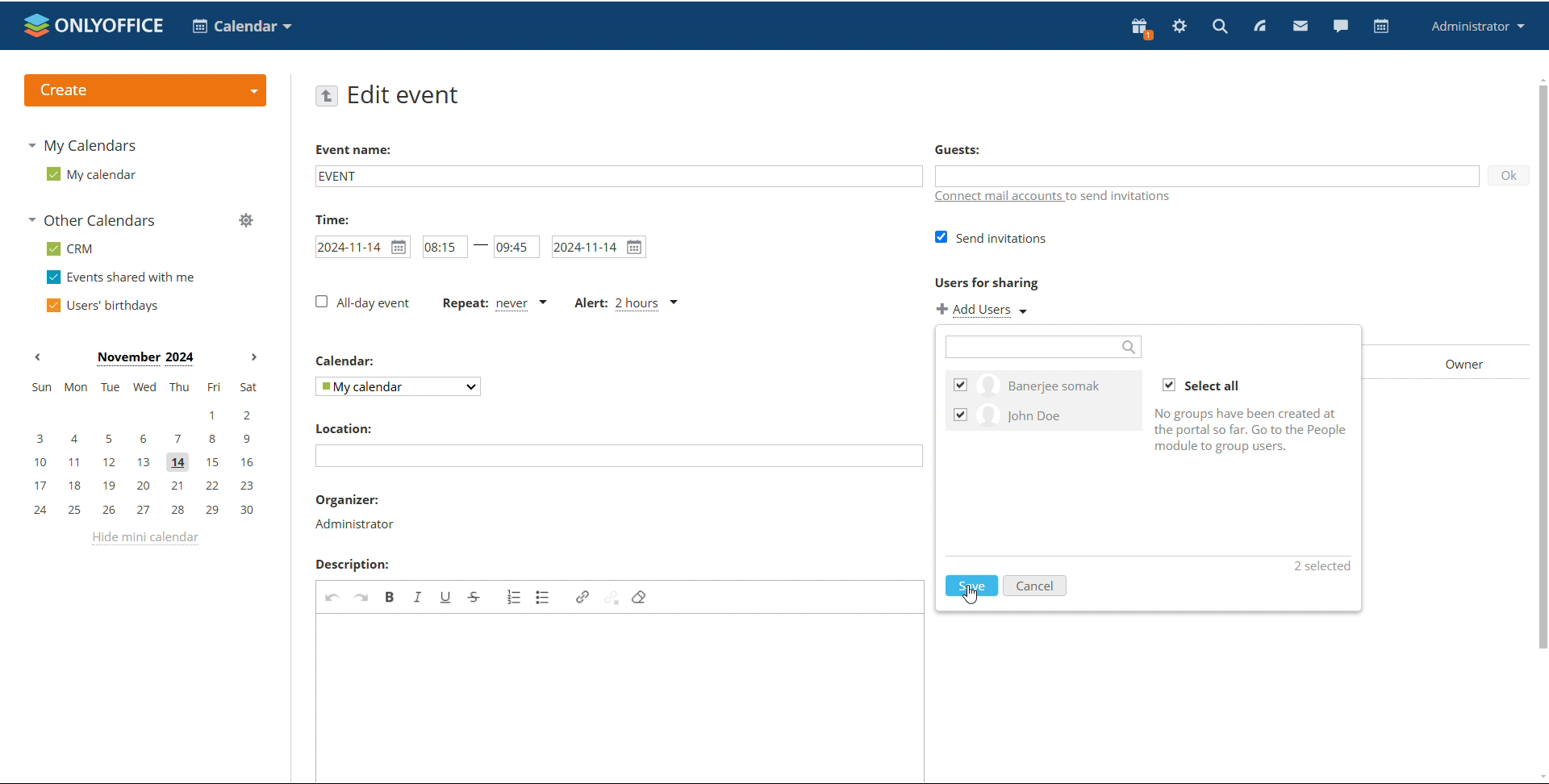 The height and width of the screenshot is (784, 1549). I want to click on users' birthdays, so click(103, 306).